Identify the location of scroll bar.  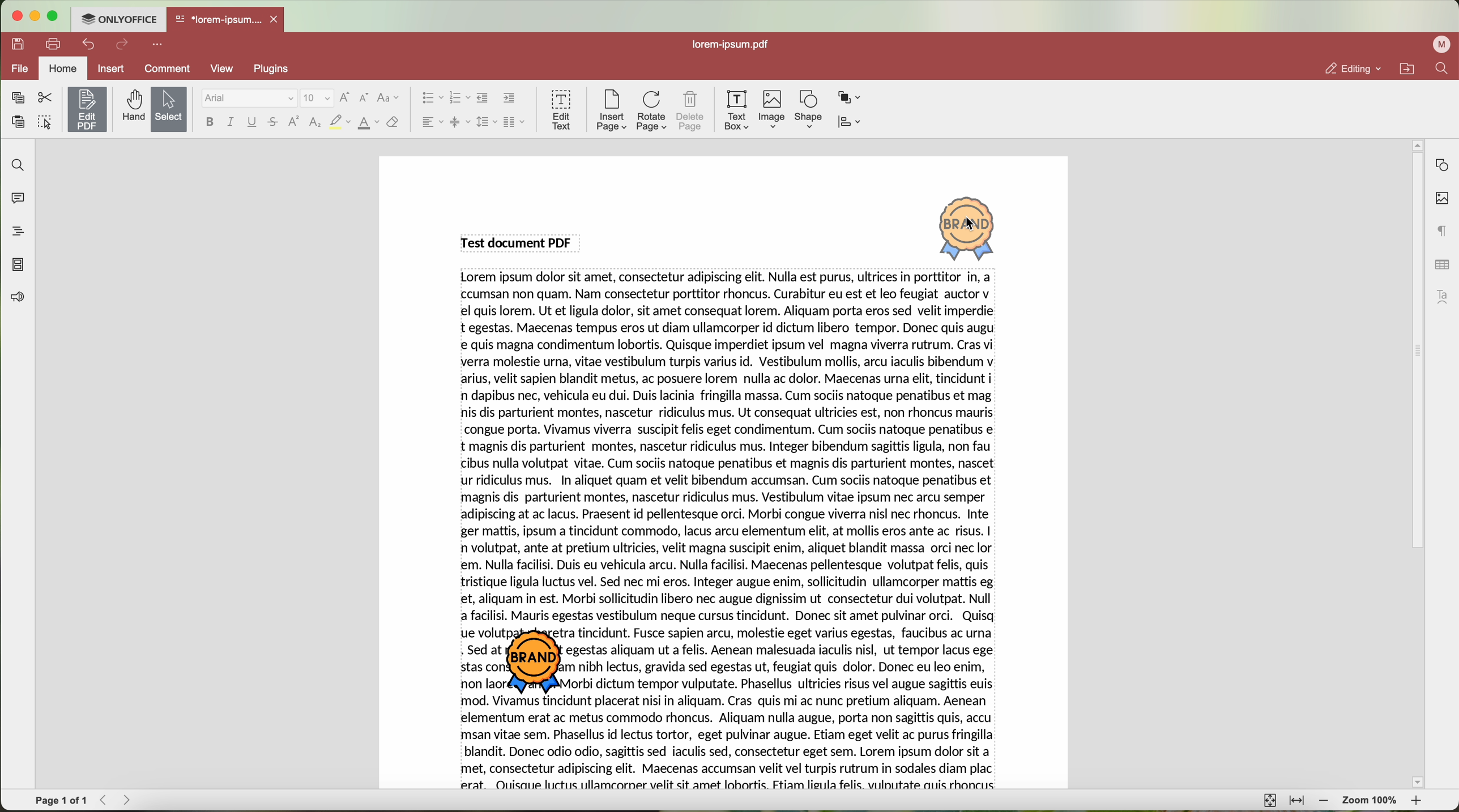
(1411, 464).